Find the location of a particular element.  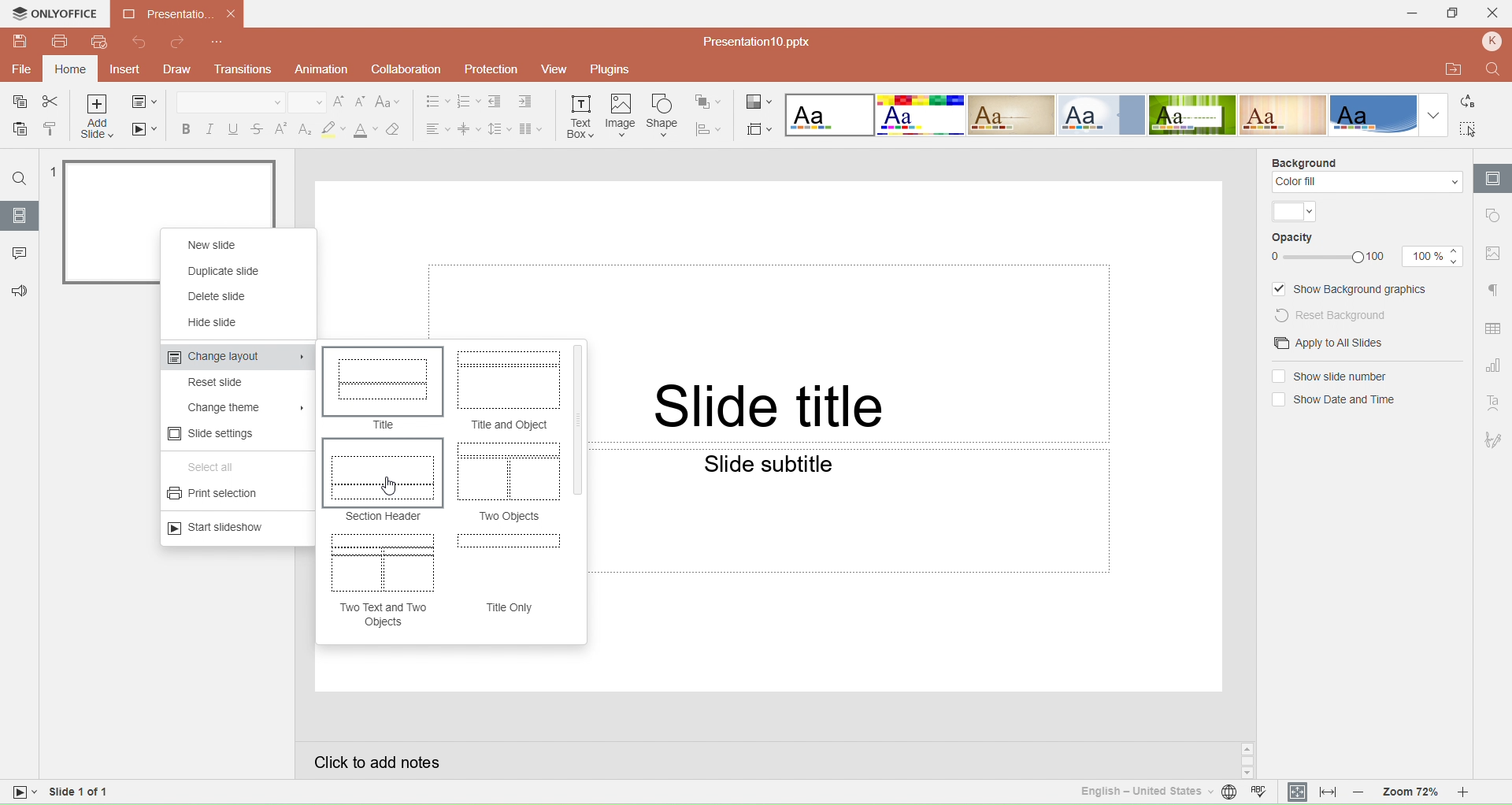

Open file location is located at coordinates (1448, 69).